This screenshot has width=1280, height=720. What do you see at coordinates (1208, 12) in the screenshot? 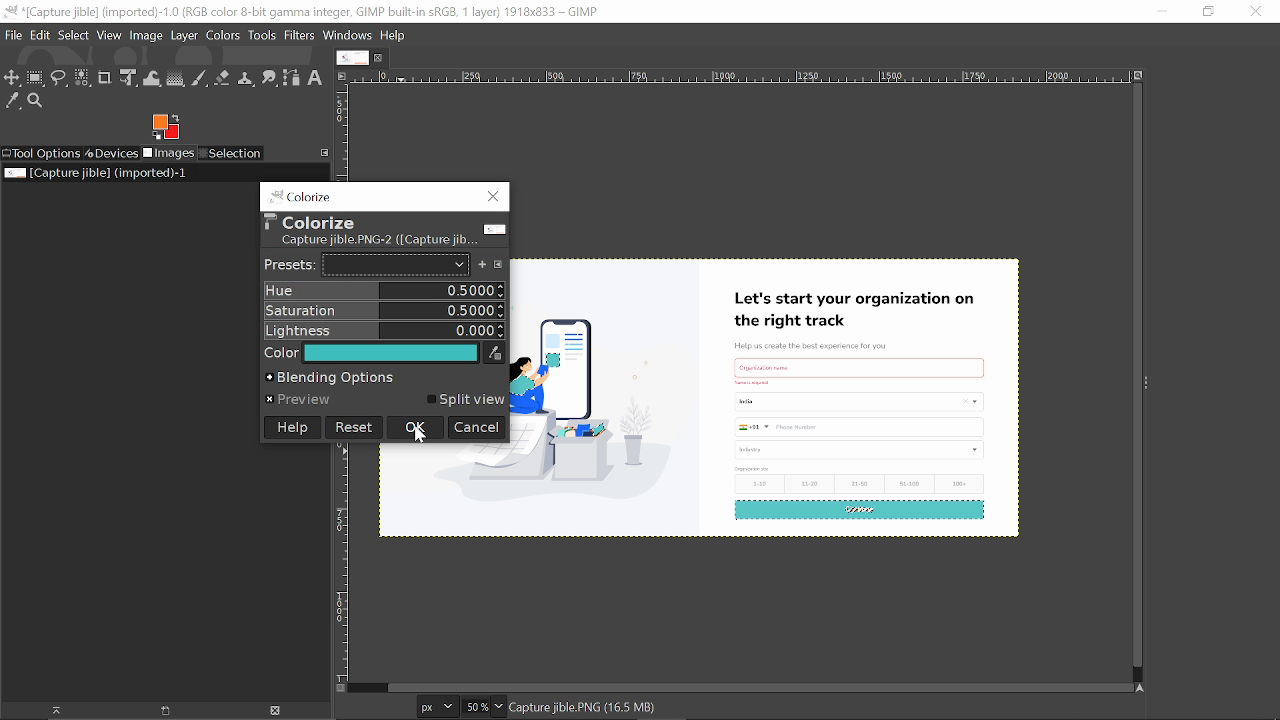
I see `Restore down` at bounding box center [1208, 12].